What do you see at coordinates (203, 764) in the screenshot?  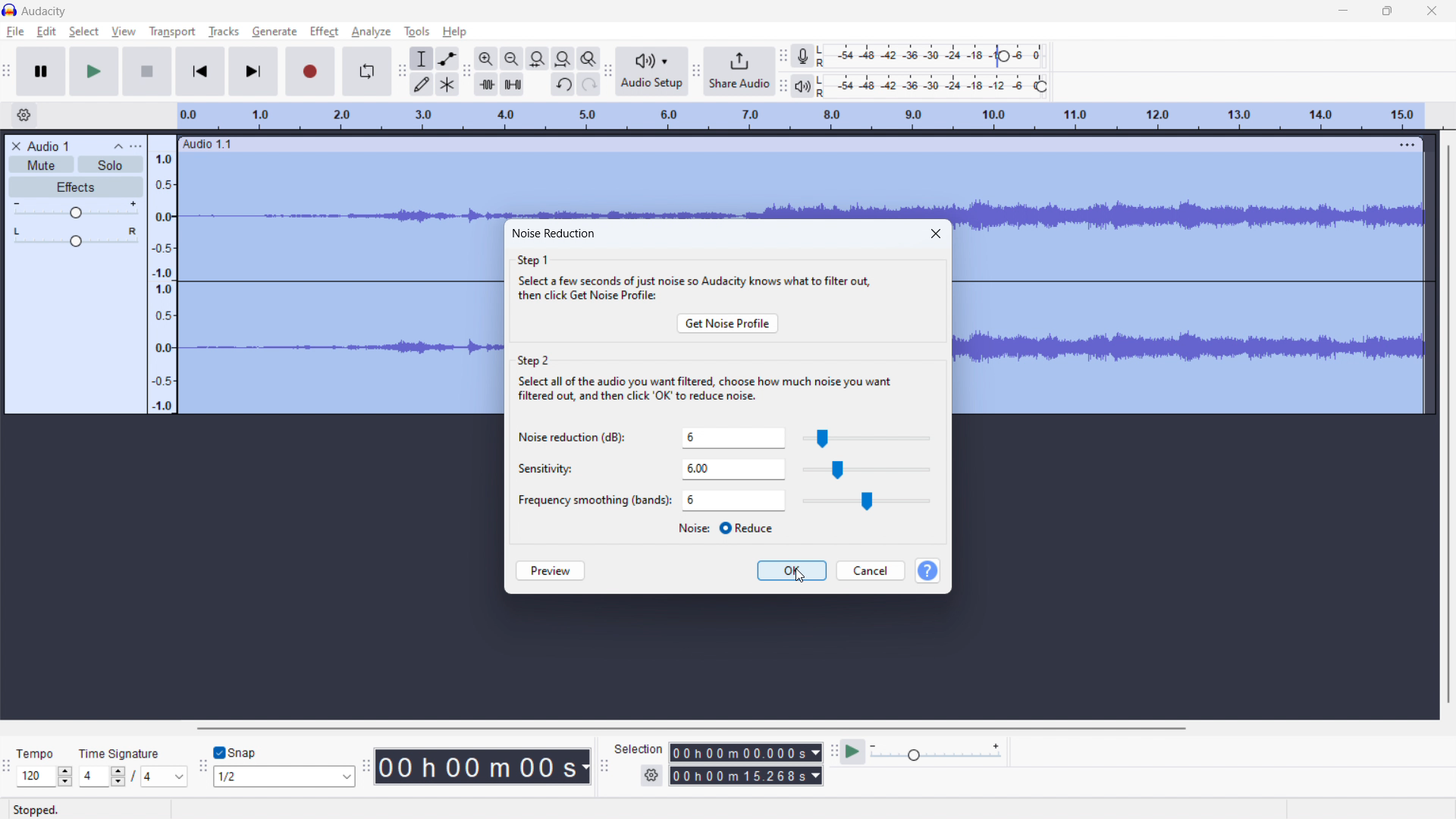 I see `snapping toolbar` at bounding box center [203, 764].